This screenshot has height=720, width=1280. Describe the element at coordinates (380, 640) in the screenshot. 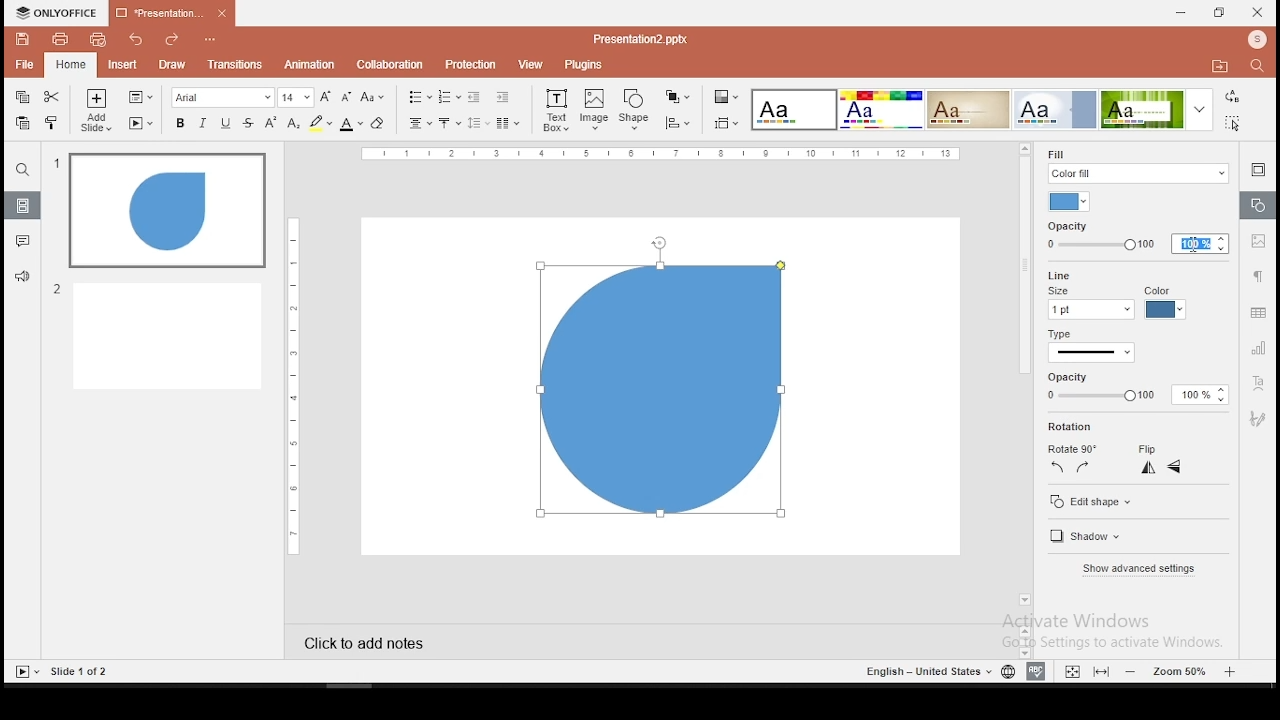

I see `click to add notes` at that location.